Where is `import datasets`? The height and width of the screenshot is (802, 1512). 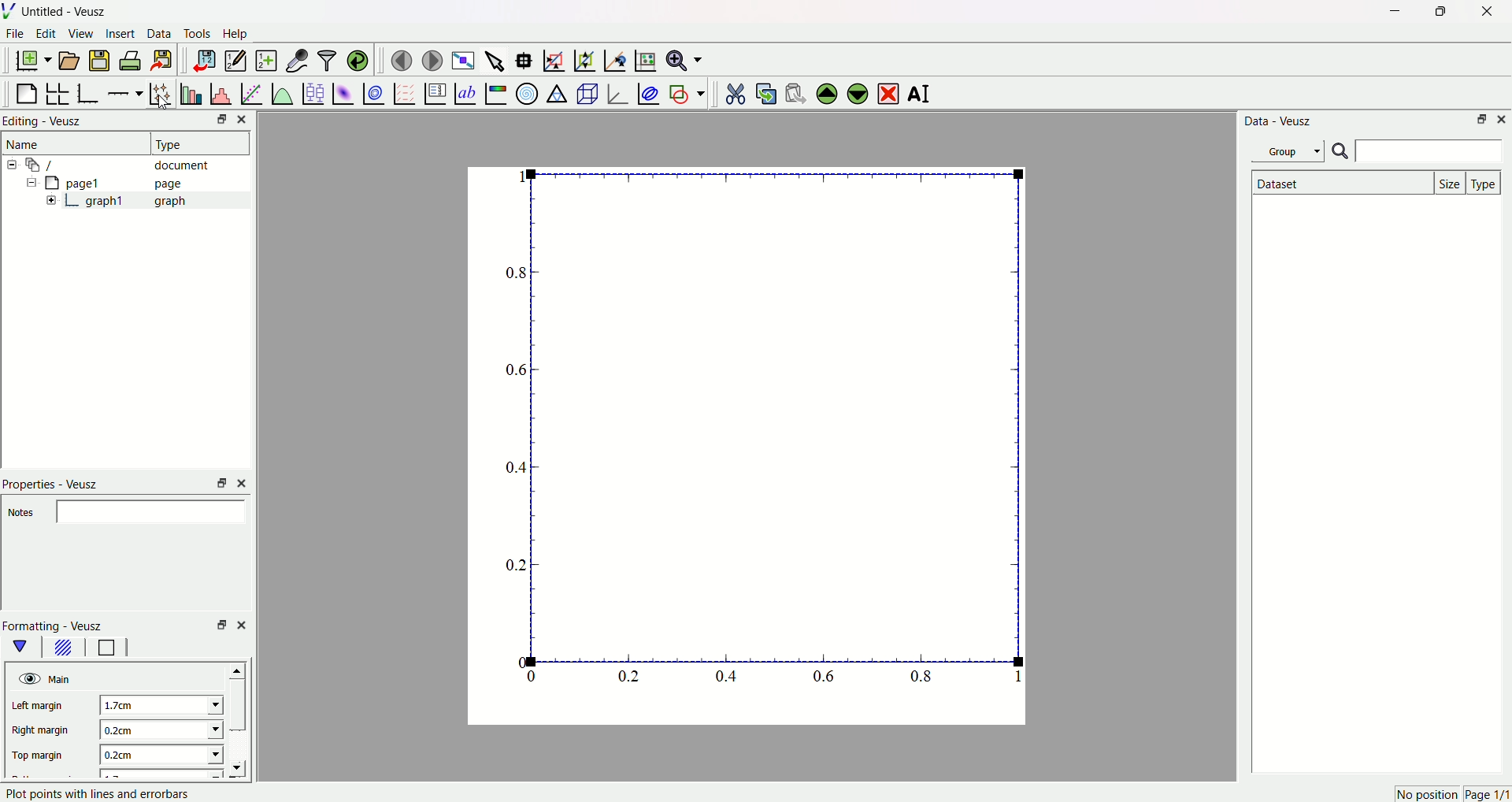
import datasets is located at coordinates (204, 60).